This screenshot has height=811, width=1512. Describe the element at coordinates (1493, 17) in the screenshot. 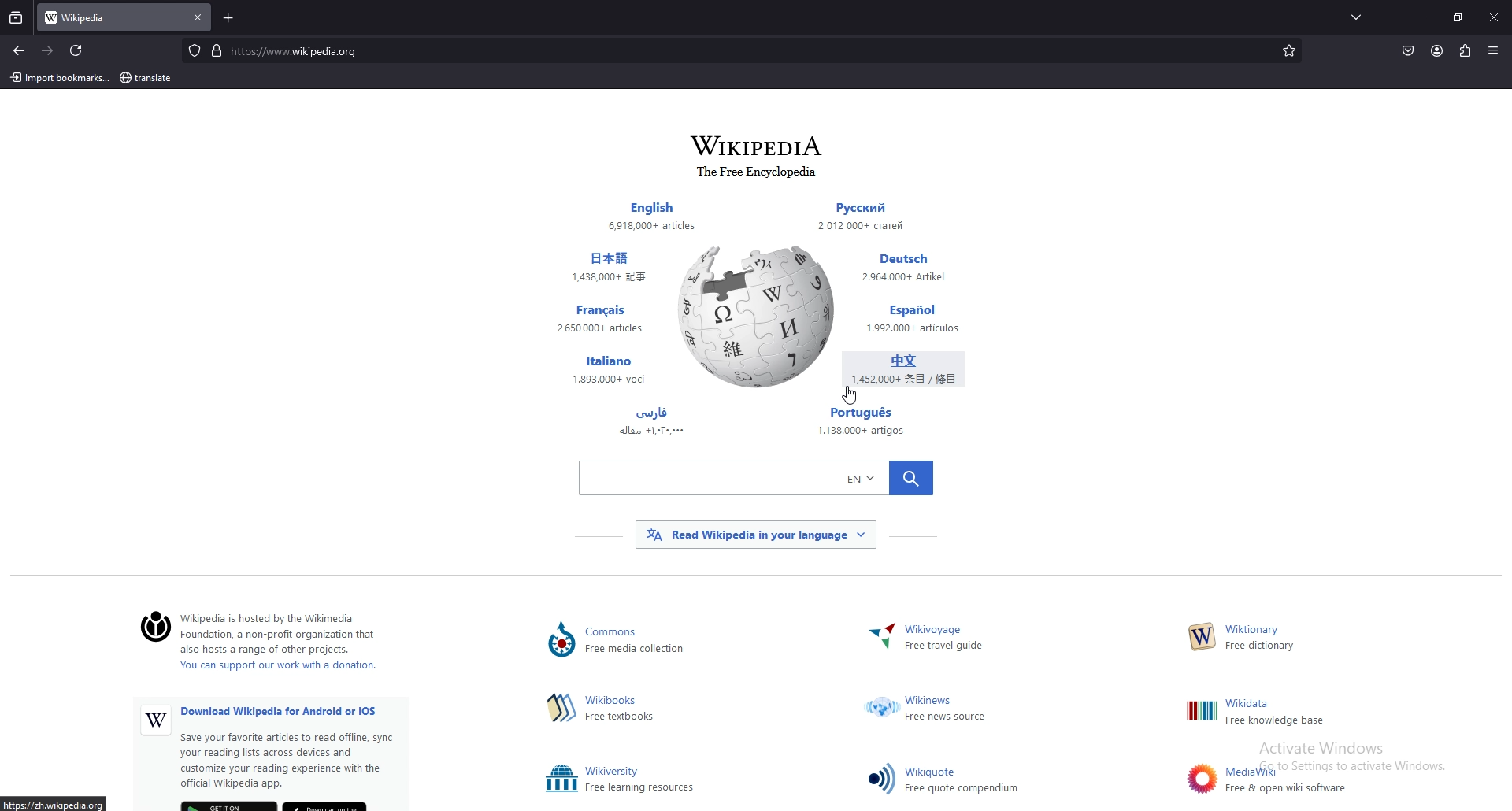

I see `` at that location.